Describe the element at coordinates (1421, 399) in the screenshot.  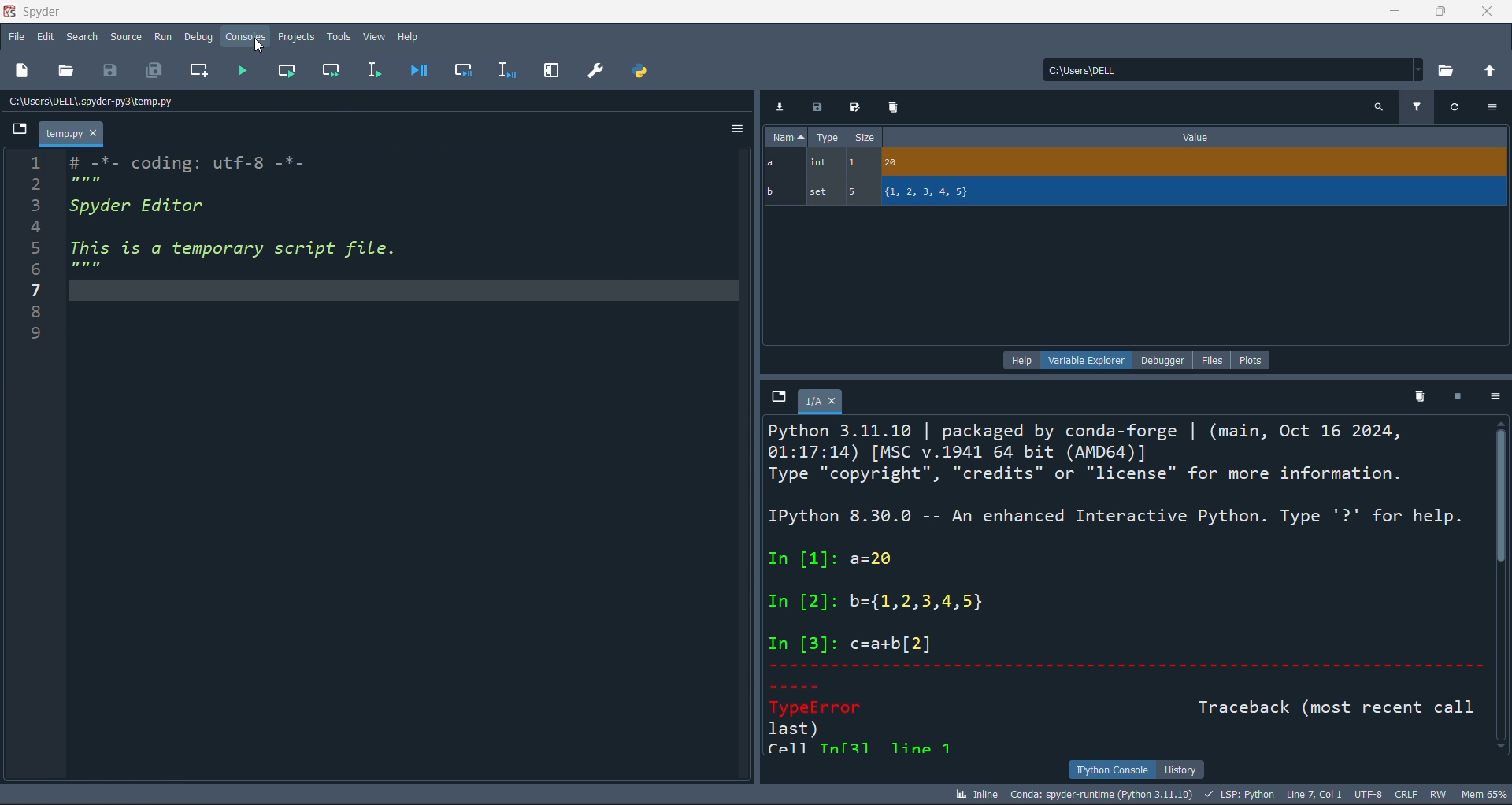
I see `delete kernel` at that location.